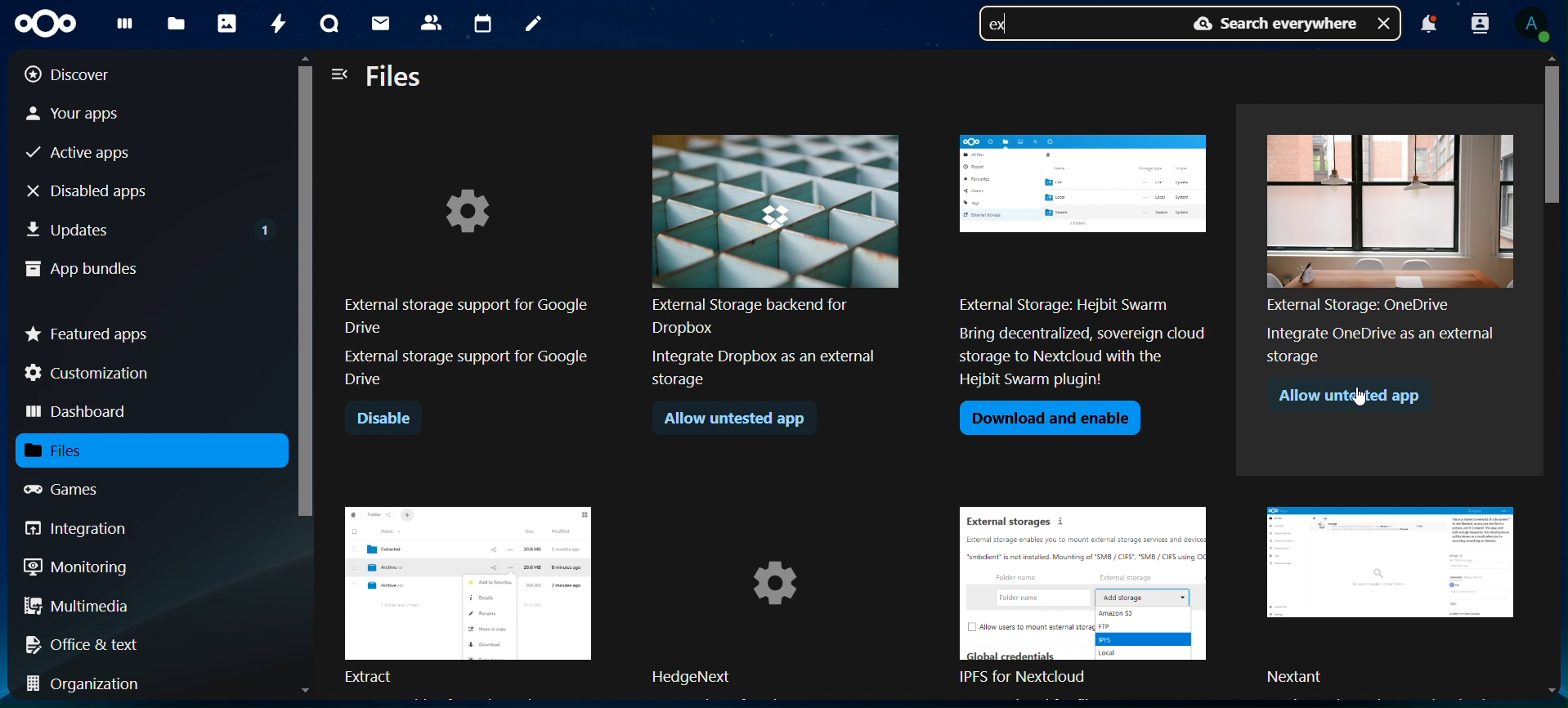  Describe the element at coordinates (1538, 25) in the screenshot. I see `view profile` at that location.